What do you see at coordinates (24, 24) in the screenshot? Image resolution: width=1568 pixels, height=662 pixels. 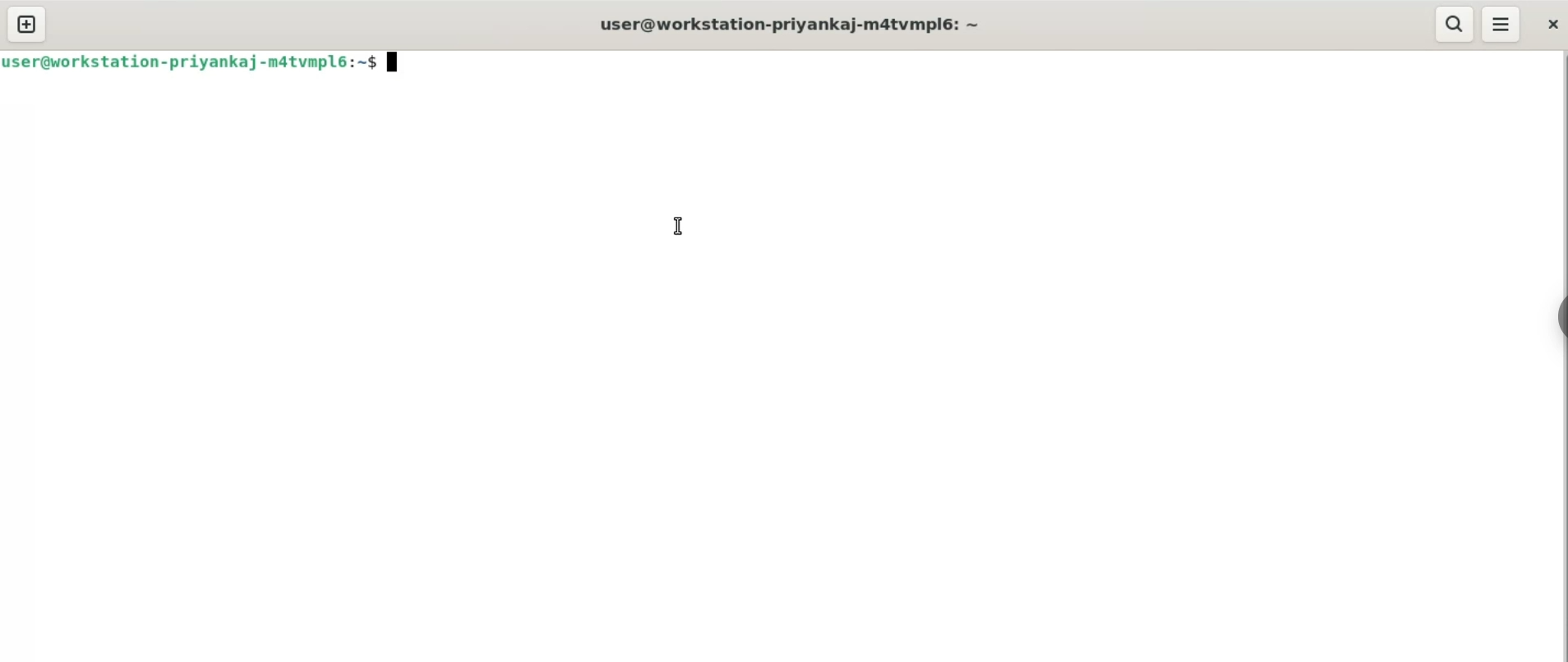 I see `new tab` at bounding box center [24, 24].